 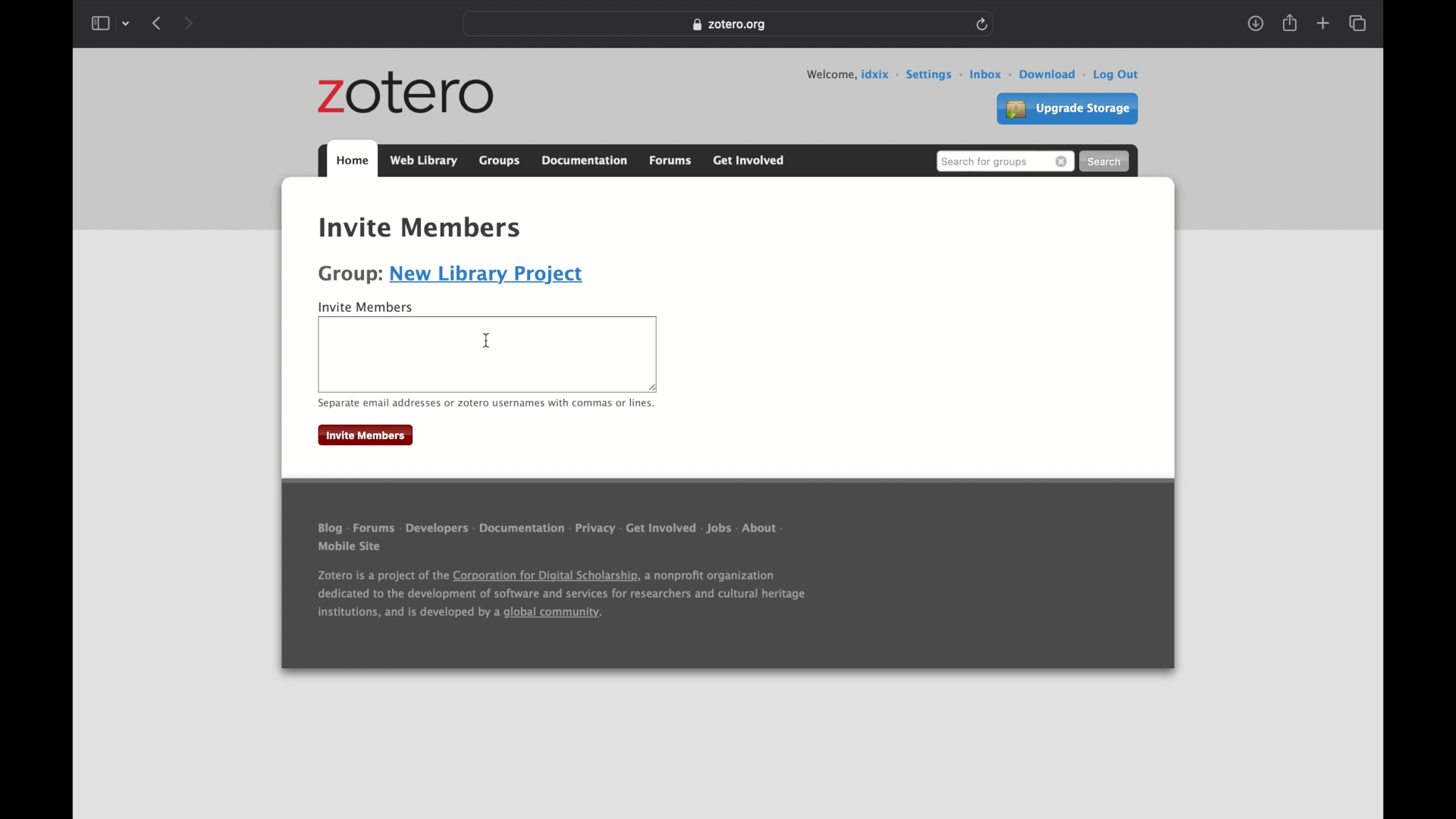 I want to click on text cursor, so click(x=488, y=342).